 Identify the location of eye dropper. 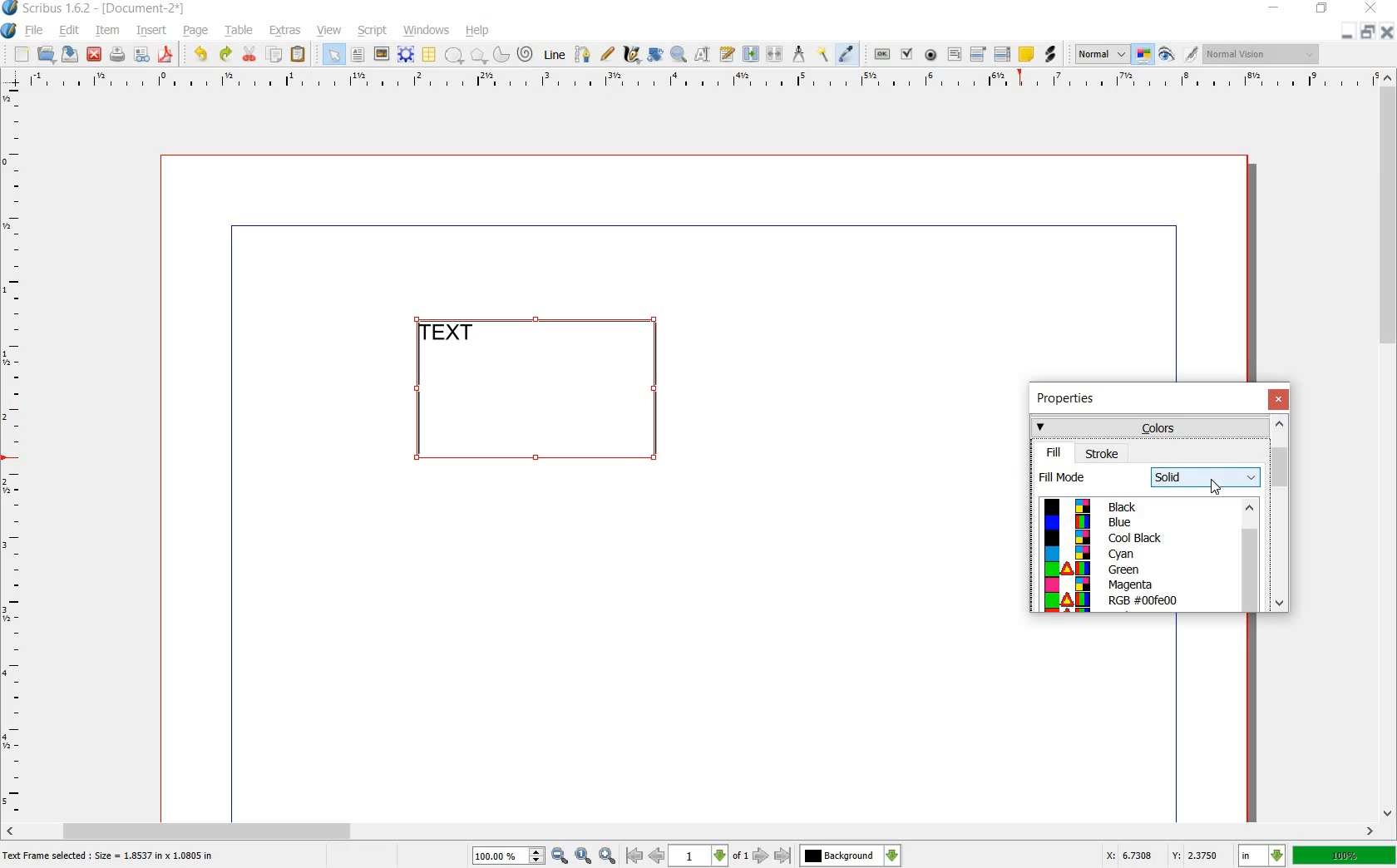
(847, 55).